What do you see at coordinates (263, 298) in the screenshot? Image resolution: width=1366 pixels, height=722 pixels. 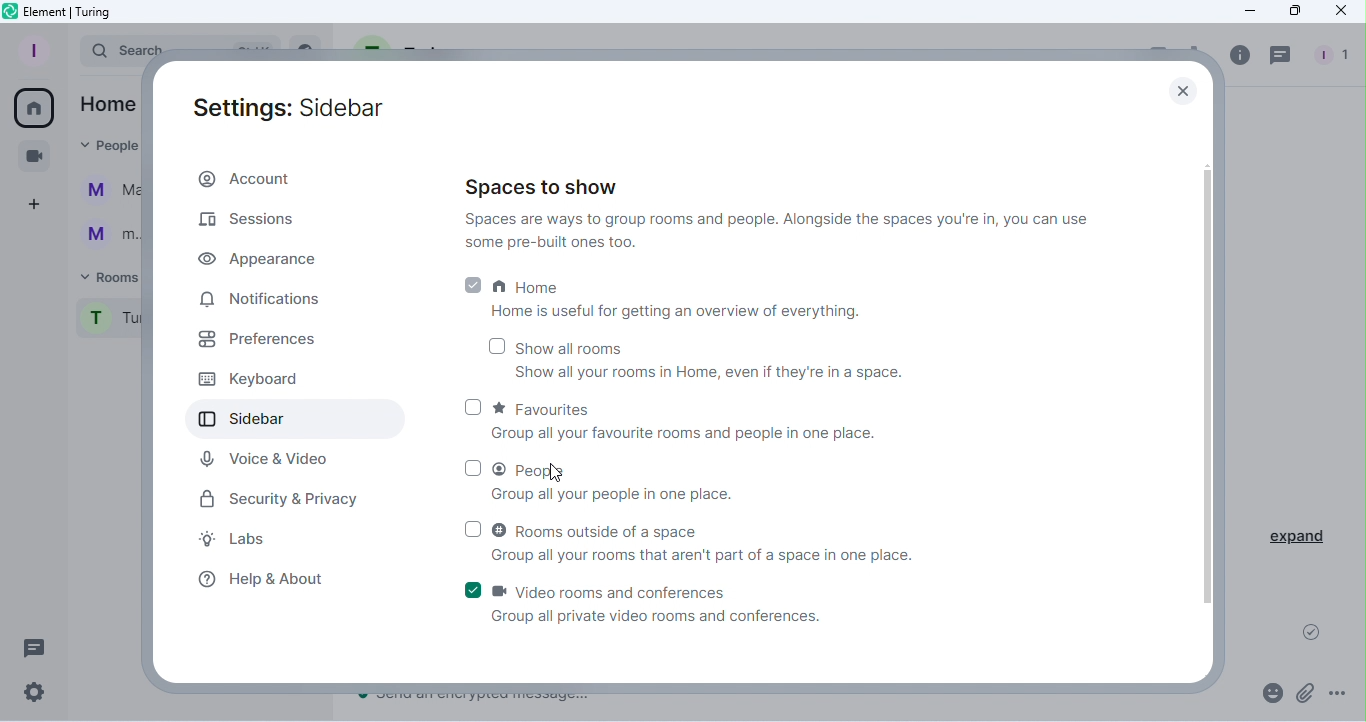 I see `Notifications` at bounding box center [263, 298].